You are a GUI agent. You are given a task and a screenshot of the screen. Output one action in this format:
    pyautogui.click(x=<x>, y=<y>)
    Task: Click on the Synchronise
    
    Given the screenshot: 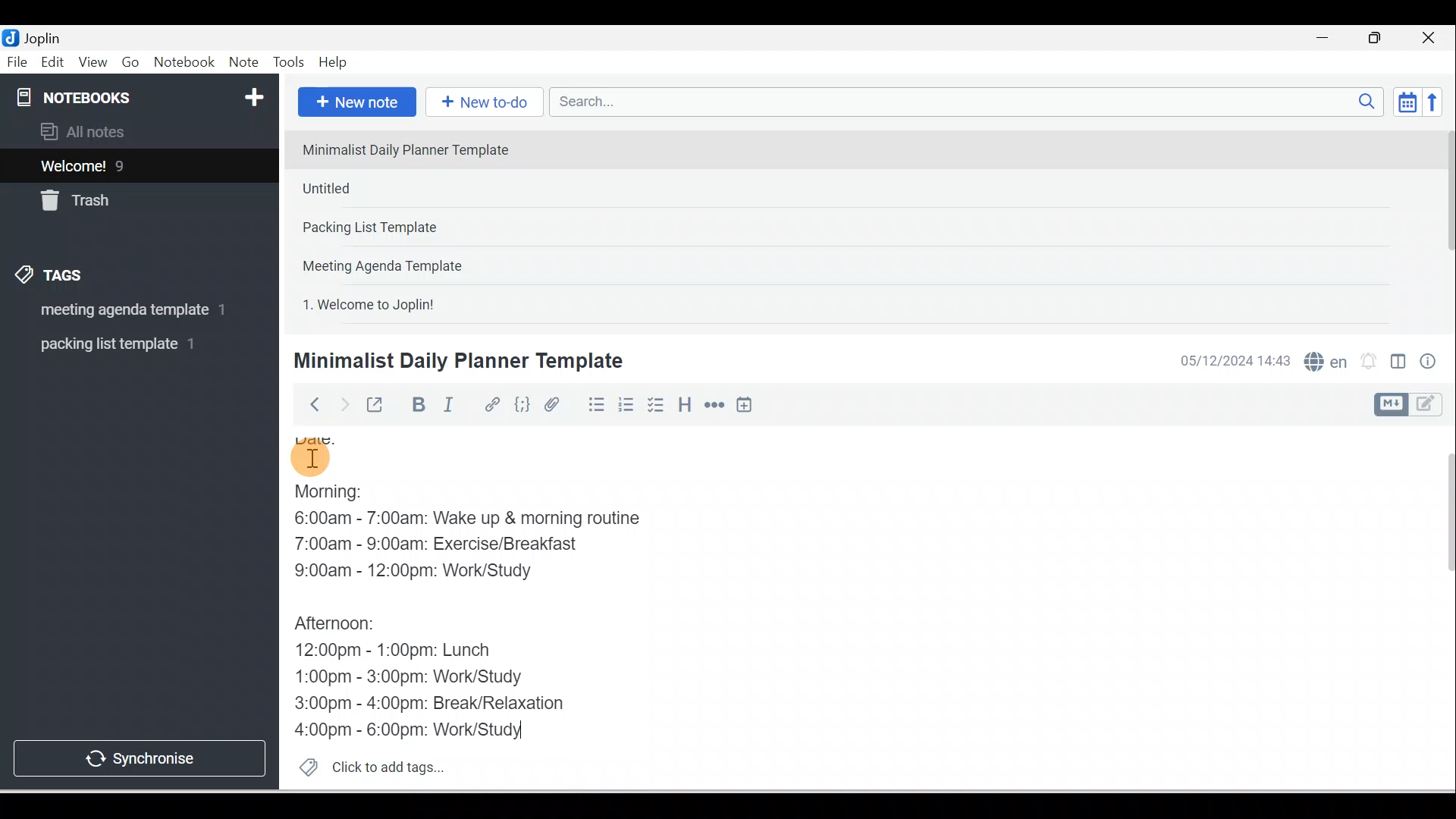 What is the action you would take?
    pyautogui.click(x=138, y=755)
    